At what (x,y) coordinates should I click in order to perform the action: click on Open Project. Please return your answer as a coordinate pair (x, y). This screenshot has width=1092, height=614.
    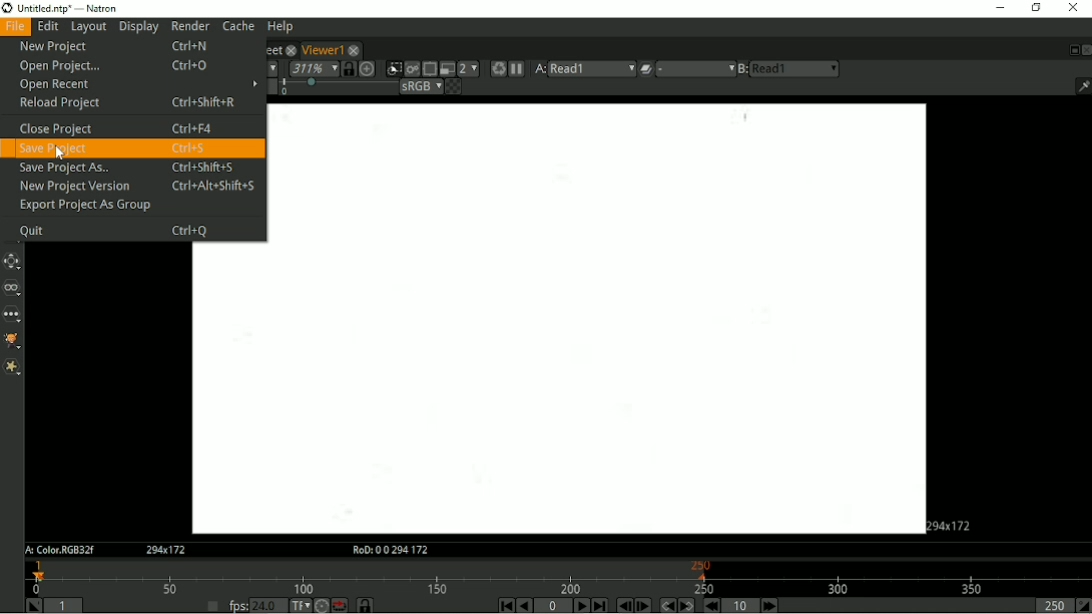
    Looking at the image, I should click on (112, 66).